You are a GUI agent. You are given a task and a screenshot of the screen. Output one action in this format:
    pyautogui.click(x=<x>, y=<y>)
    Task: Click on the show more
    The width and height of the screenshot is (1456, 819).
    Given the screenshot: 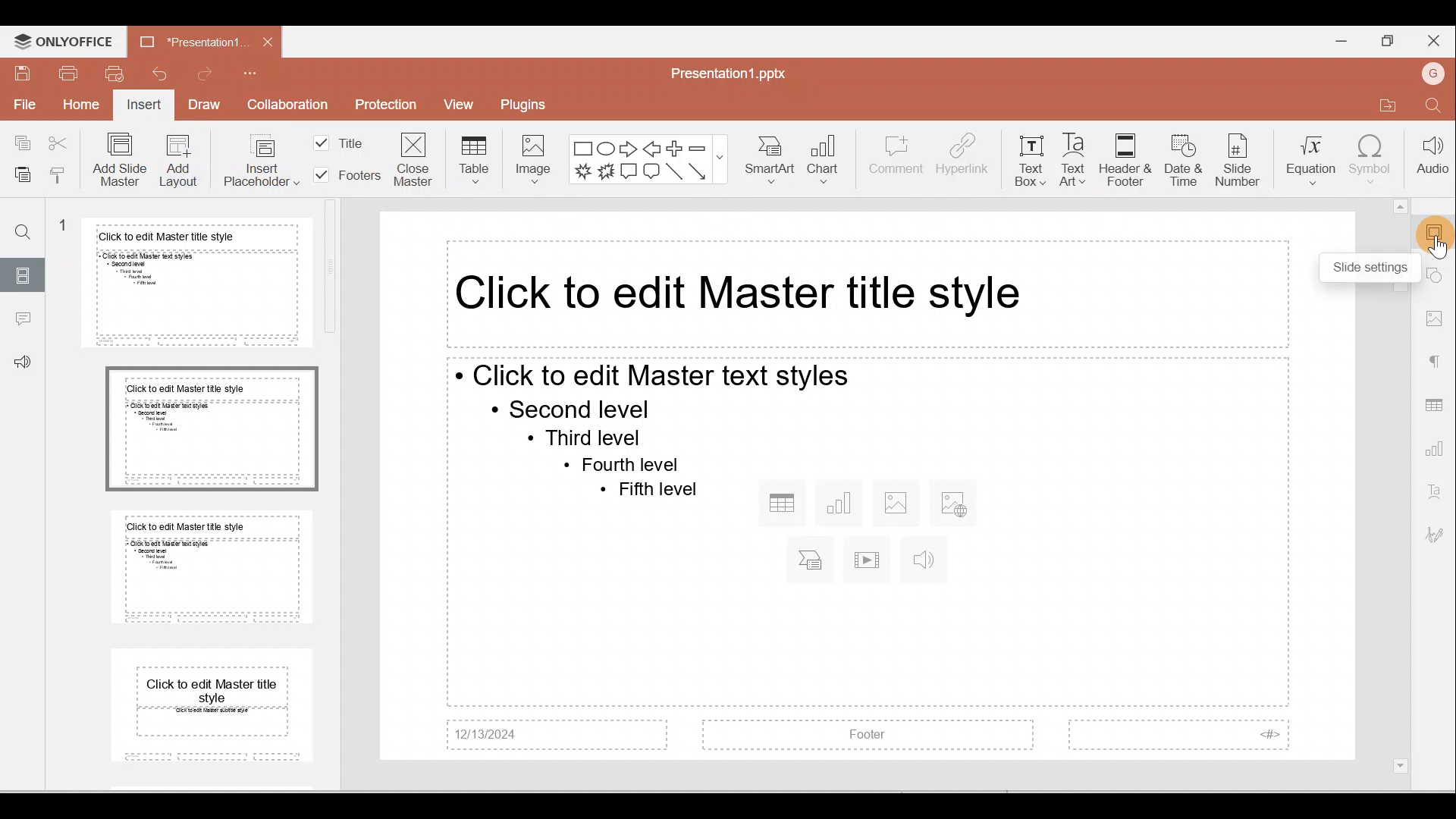 What is the action you would take?
    pyautogui.click(x=721, y=155)
    